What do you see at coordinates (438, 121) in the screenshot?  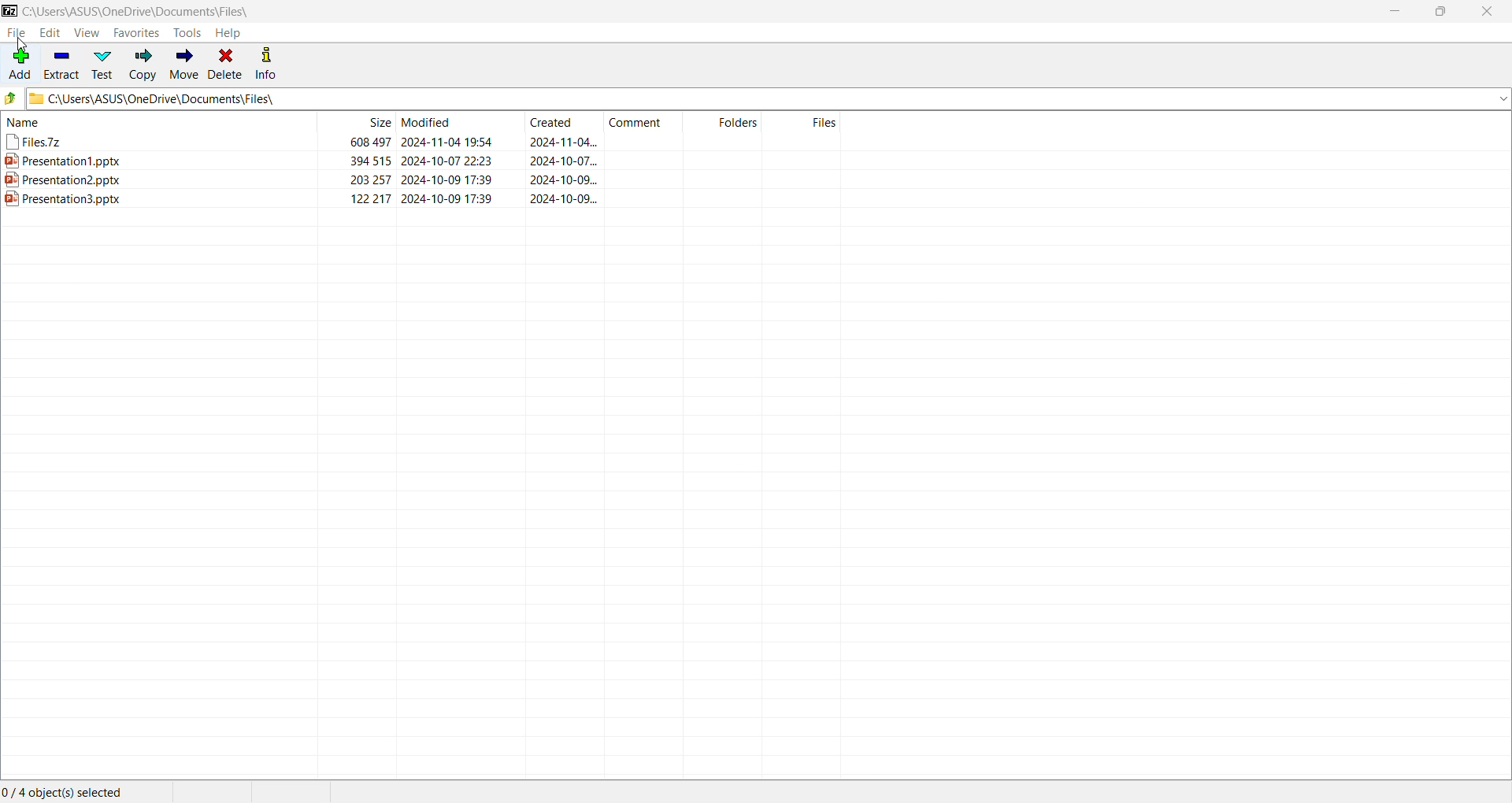 I see `Modified` at bounding box center [438, 121].